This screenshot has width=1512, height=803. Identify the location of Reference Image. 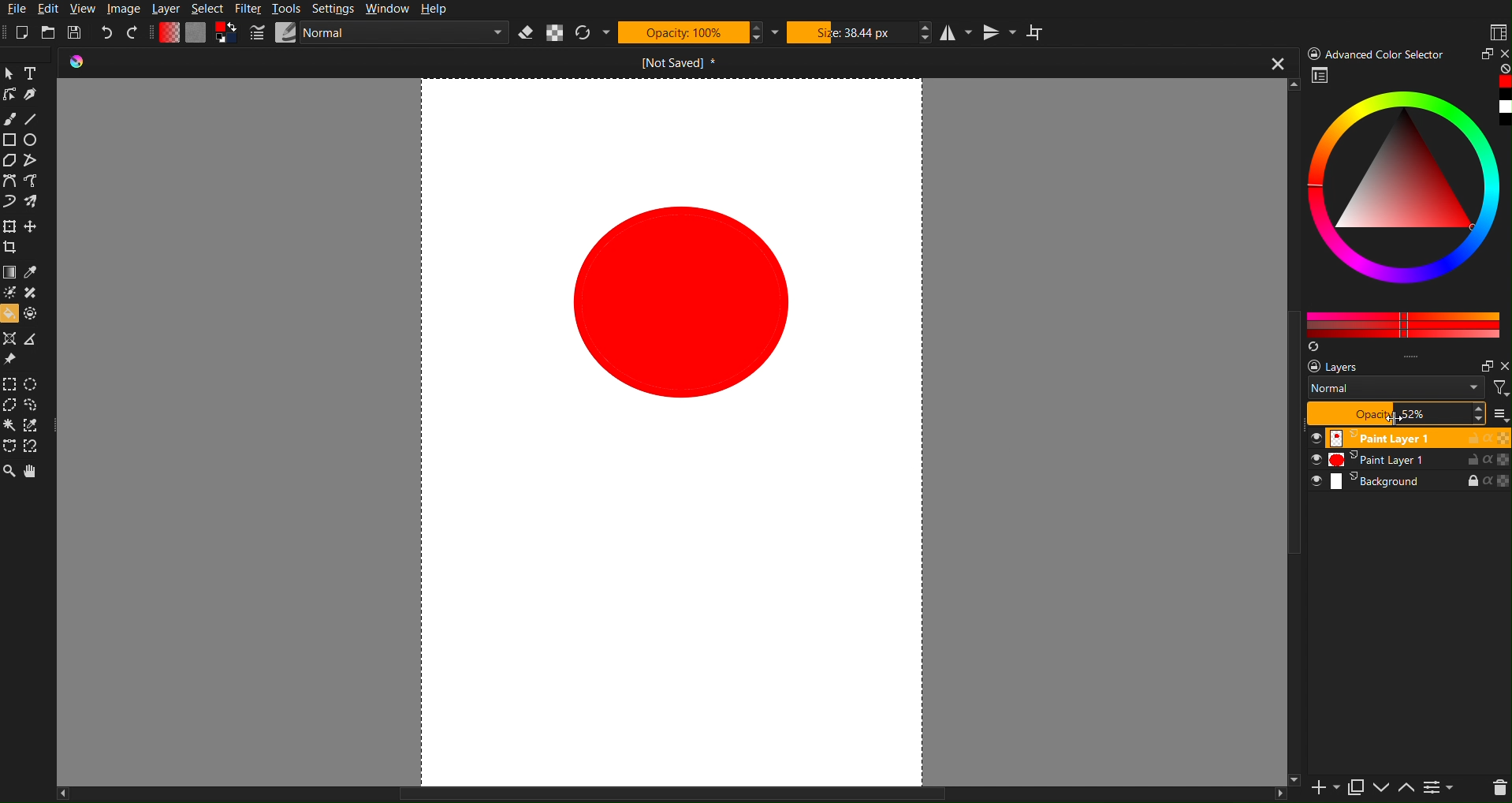
(9, 360).